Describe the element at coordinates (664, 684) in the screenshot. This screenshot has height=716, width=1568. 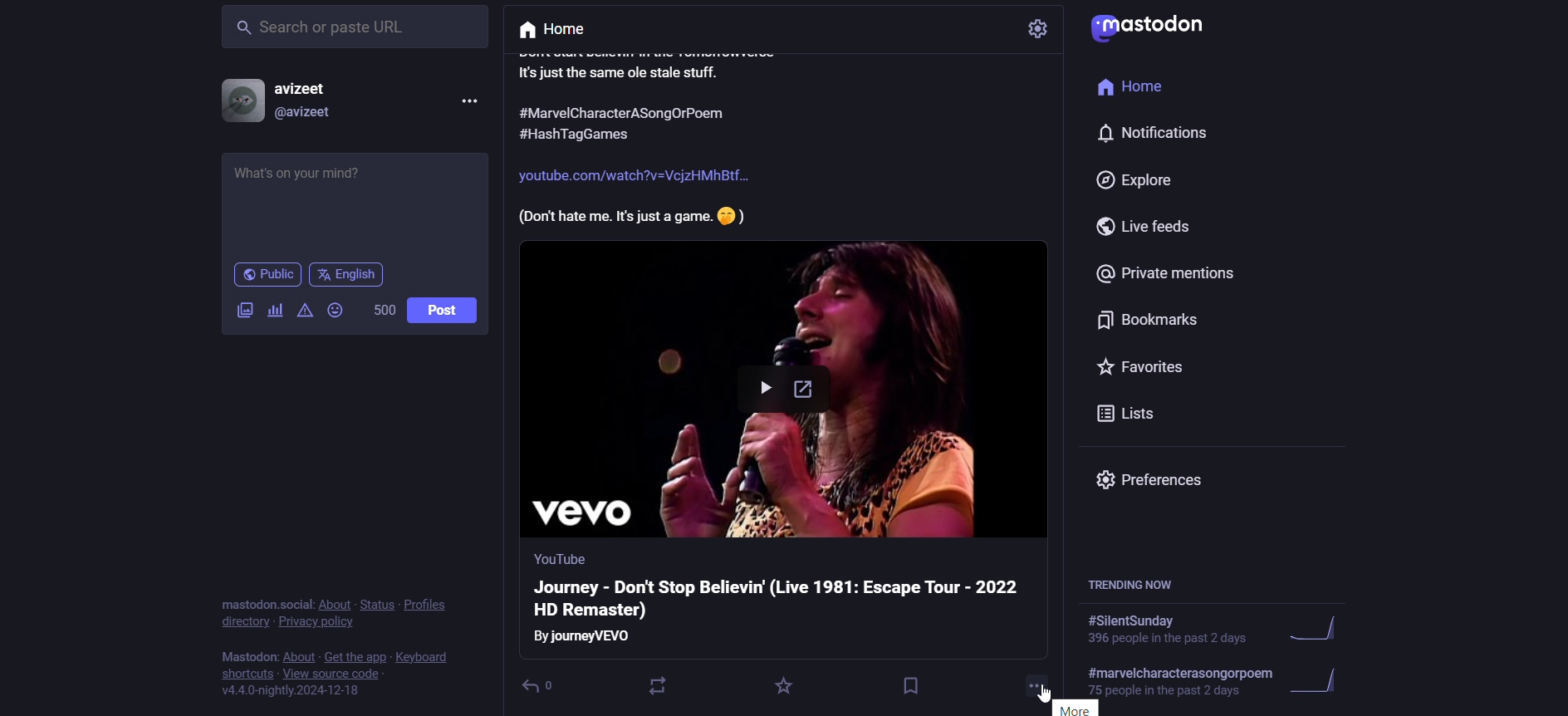
I see `boost` at that location.